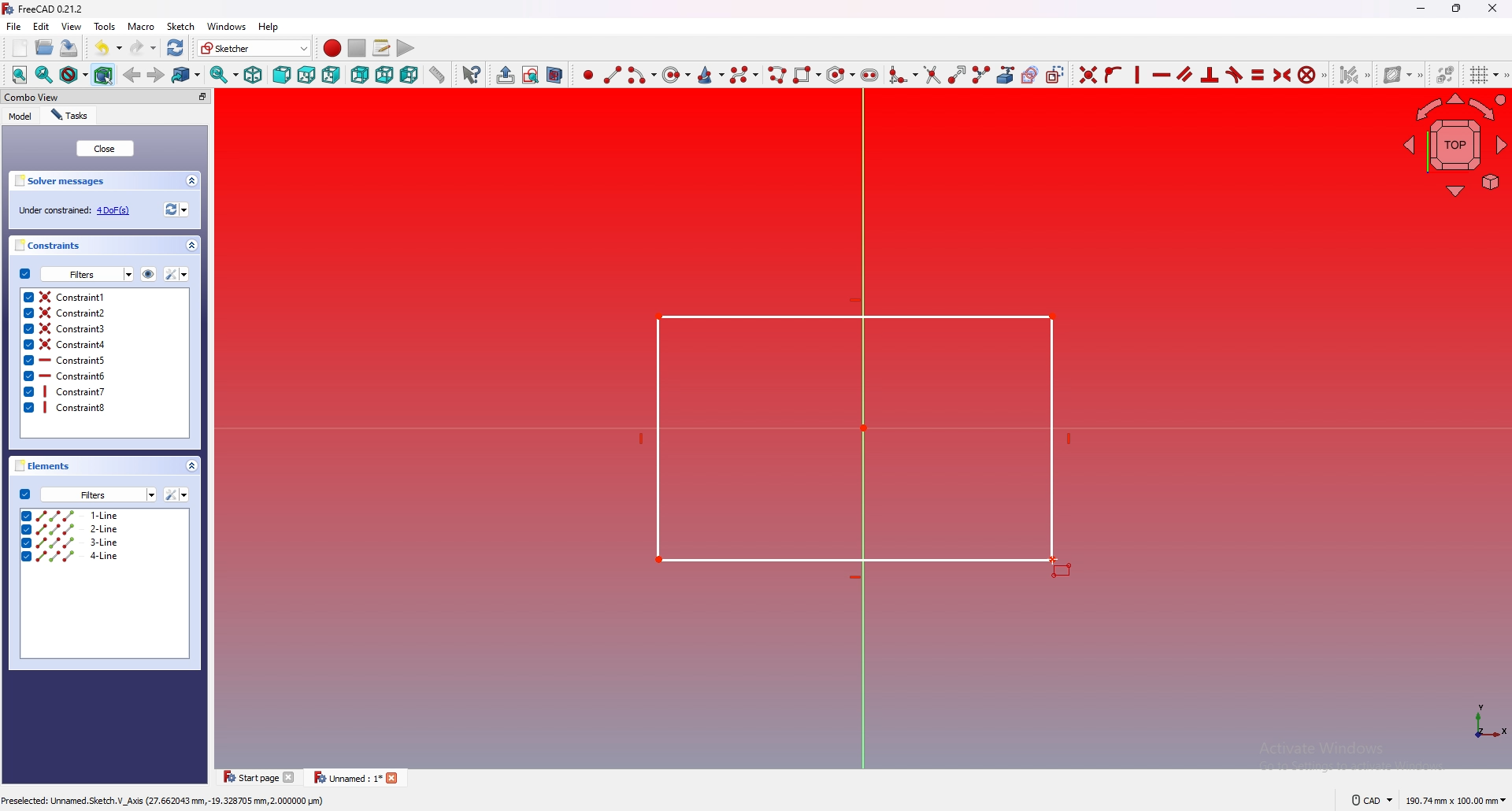 The width and height of the screenshot is (1512, 811). I want to click on tools, so click(105, 26).